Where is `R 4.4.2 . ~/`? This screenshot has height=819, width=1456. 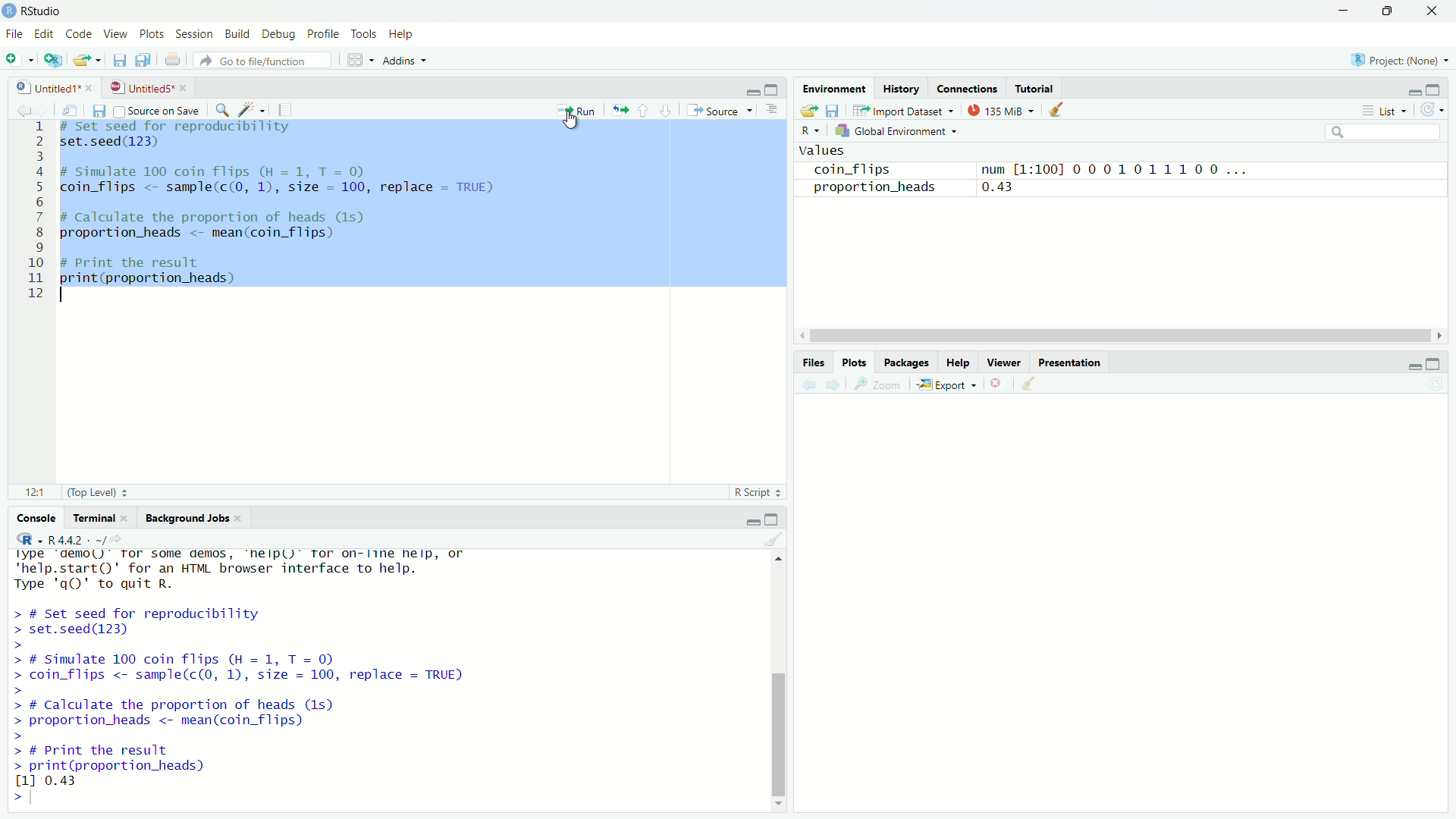 R 4.4.2 . ~/ is located at coordinates (80, 540).